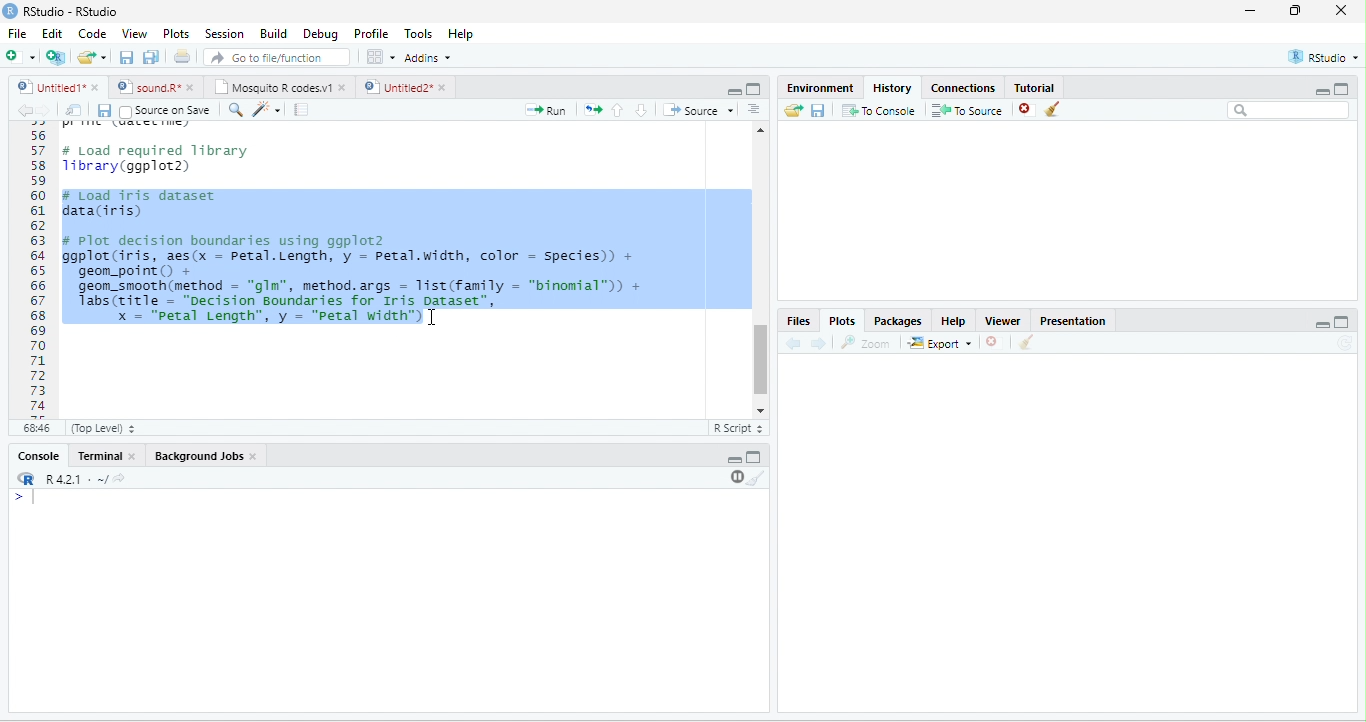  What do you see at coordinates (92, 33) in the screenshot?
I see `Code` at bounding box center [92, 33].